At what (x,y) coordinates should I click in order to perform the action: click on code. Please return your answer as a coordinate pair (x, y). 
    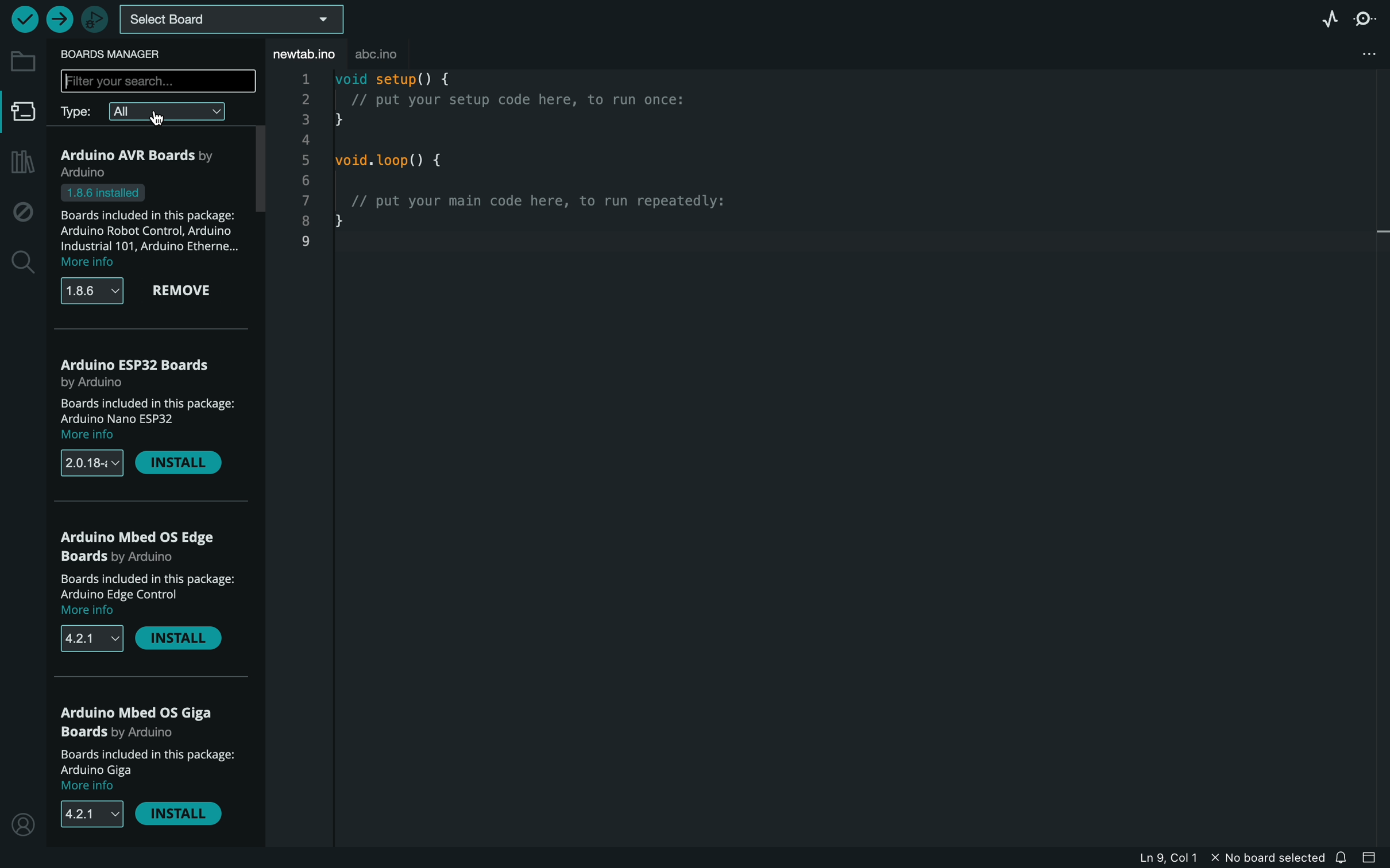
    Looking at the image, I should click on (535, 167).